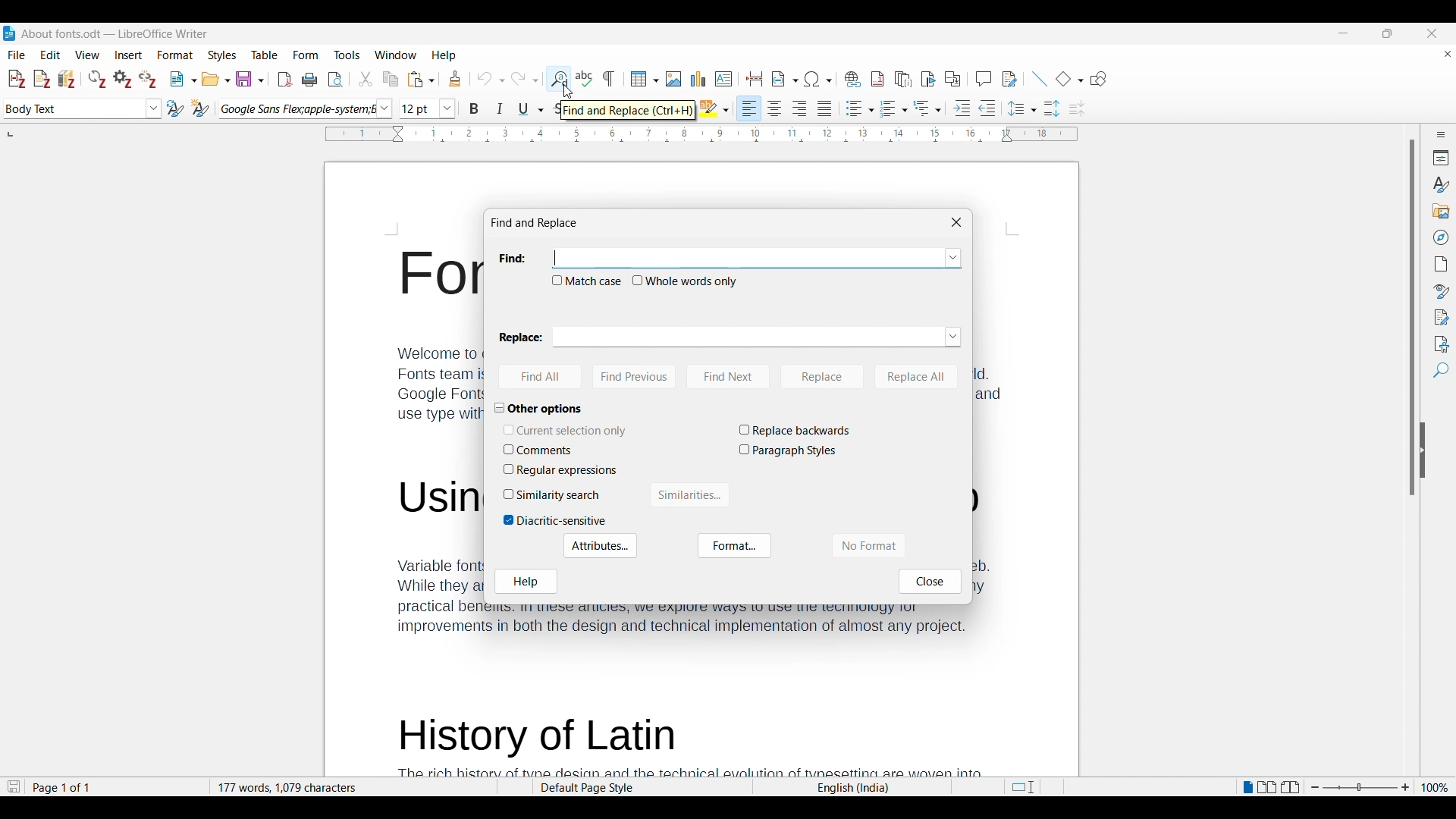 The image size is (1456, 819). Describe the element at coordinates (1412, 318) in the screenshot. I see `Vertical slide bar` at that location.